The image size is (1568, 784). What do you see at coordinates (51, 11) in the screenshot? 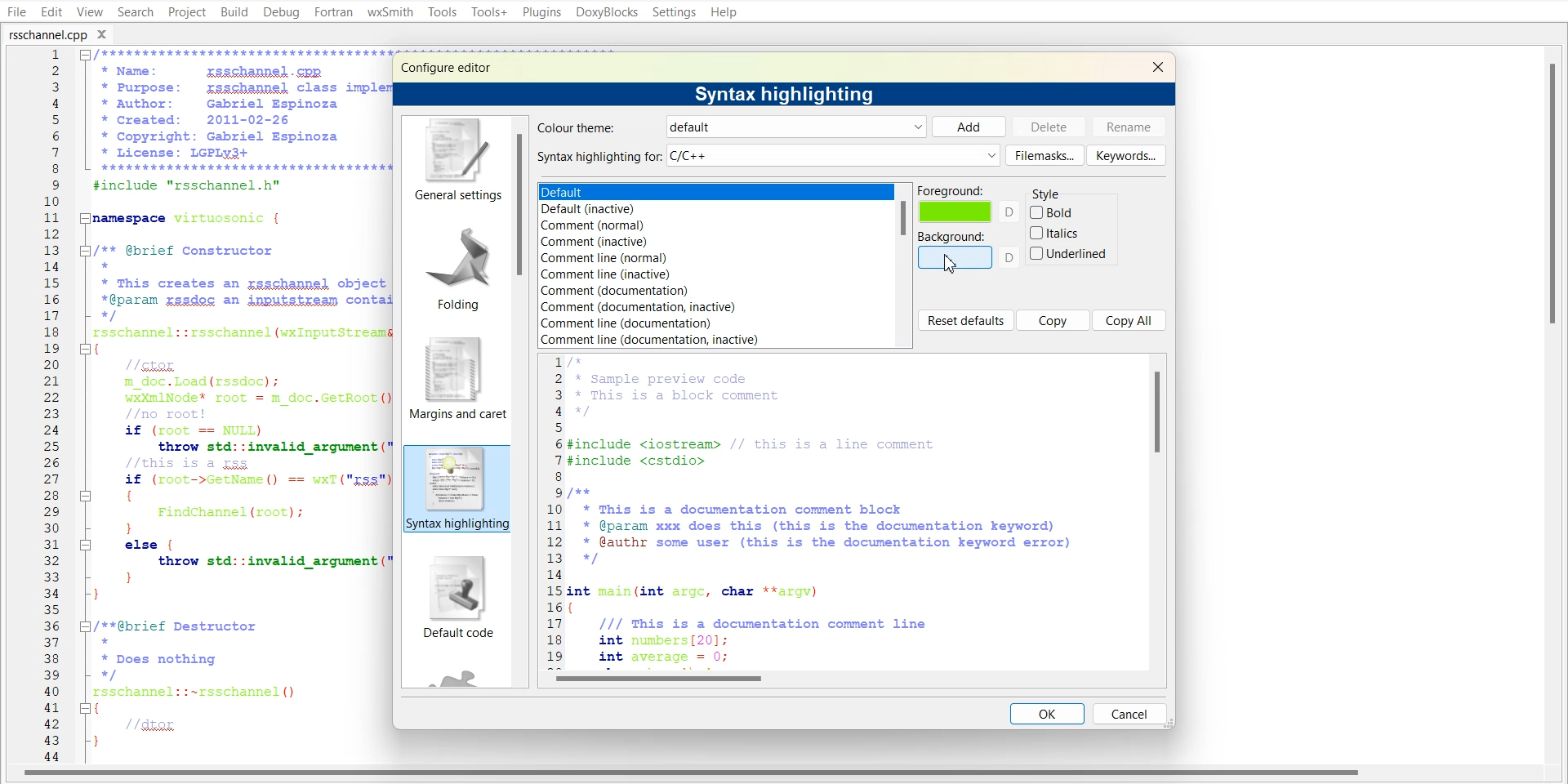
I see `Edit` at bounding box center [51, 11].